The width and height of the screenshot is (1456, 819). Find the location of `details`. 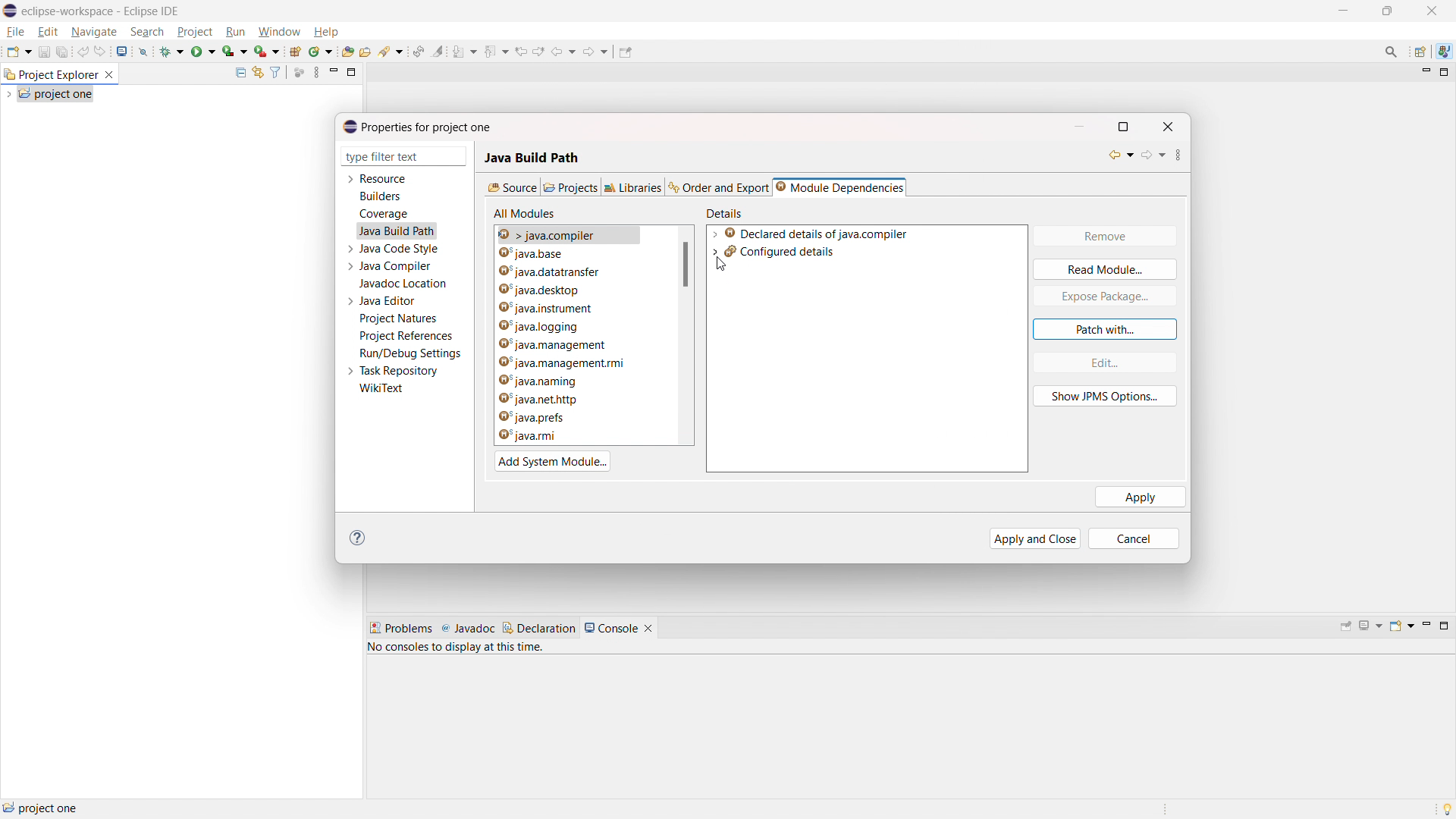

details is located at coordinates (727, 212).